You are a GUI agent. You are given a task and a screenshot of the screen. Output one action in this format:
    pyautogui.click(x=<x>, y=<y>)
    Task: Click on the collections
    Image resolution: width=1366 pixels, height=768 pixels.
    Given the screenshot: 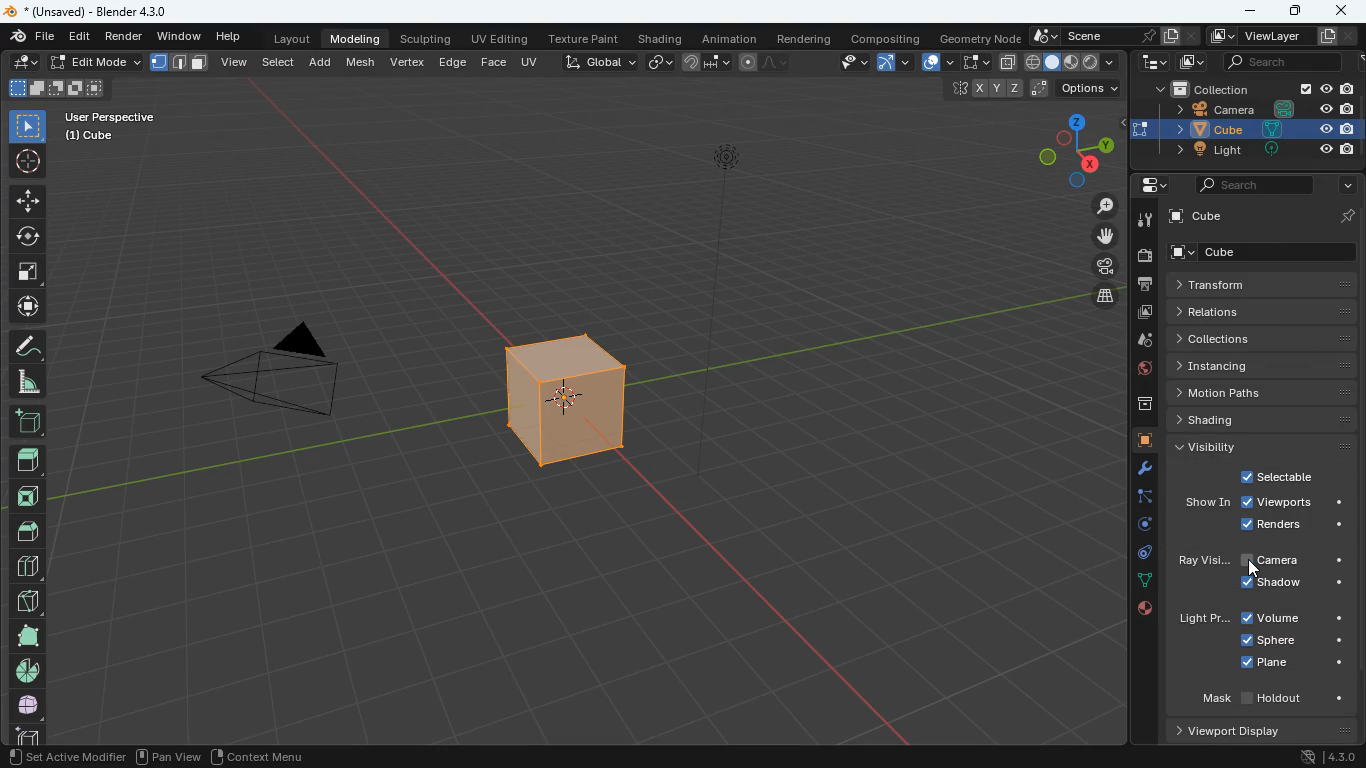 What is the action you would take?
    pyautogui.click(x=1258, y=339)
    